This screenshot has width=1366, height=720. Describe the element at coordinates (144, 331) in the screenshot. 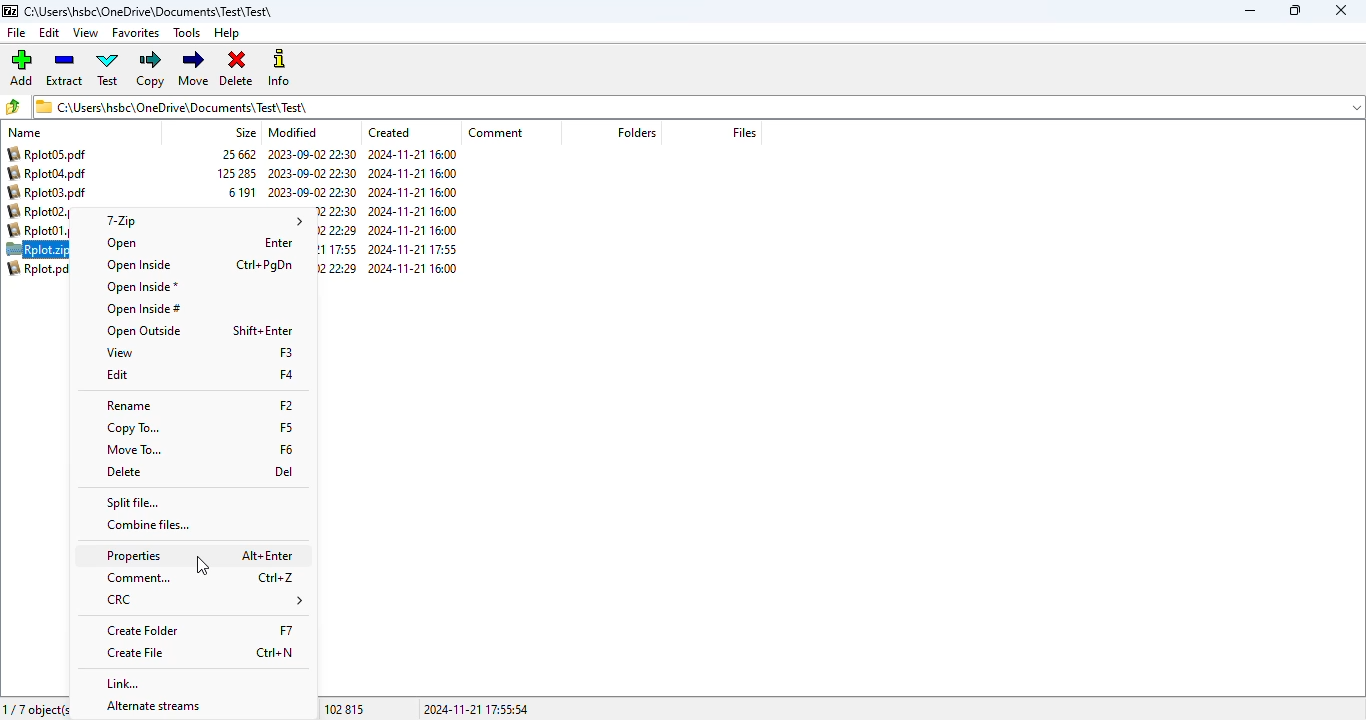

I see `open outside` at that location.